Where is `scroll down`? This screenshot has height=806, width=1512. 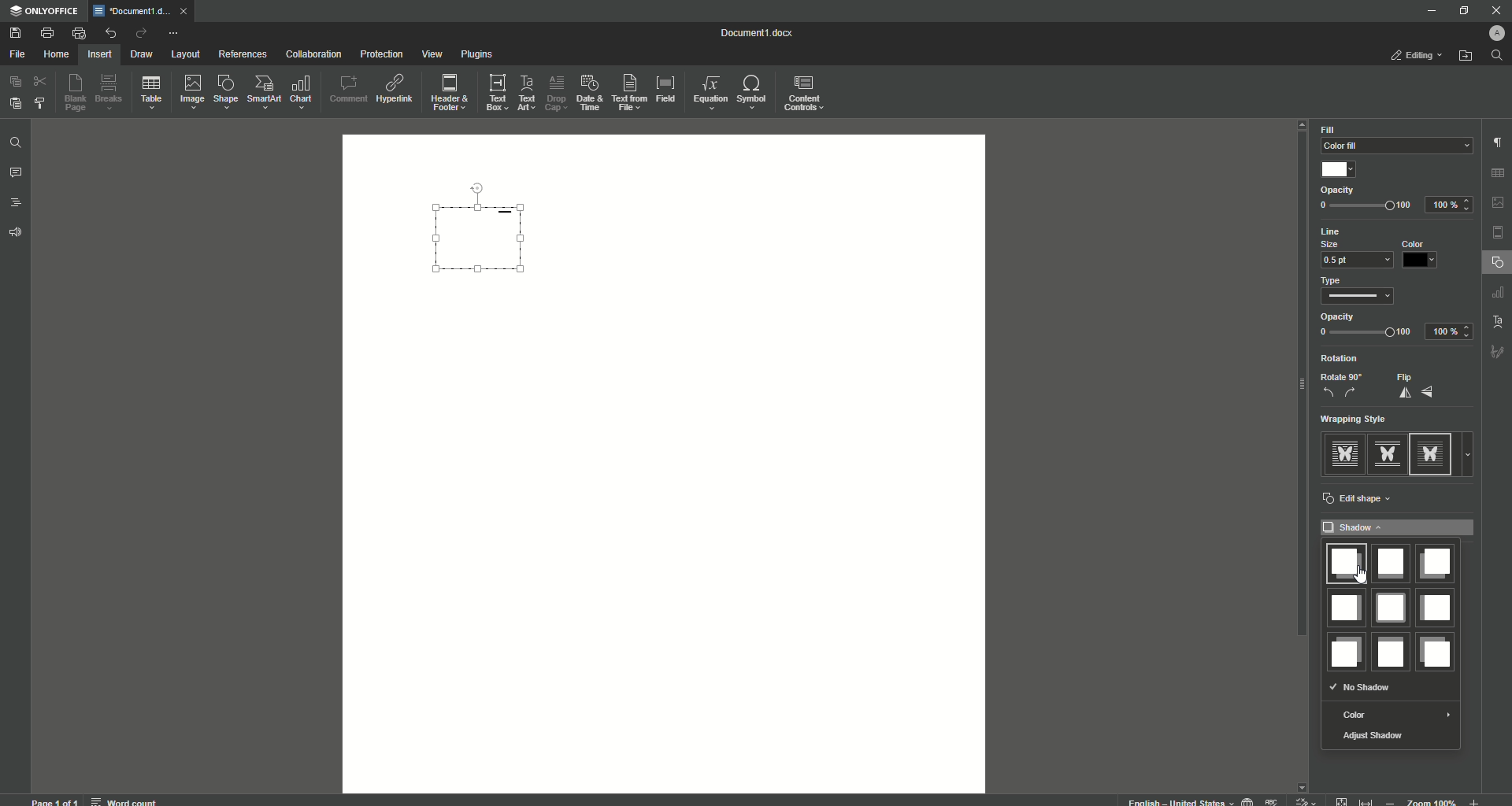
scroll down is located at coordinates (1303, 783).